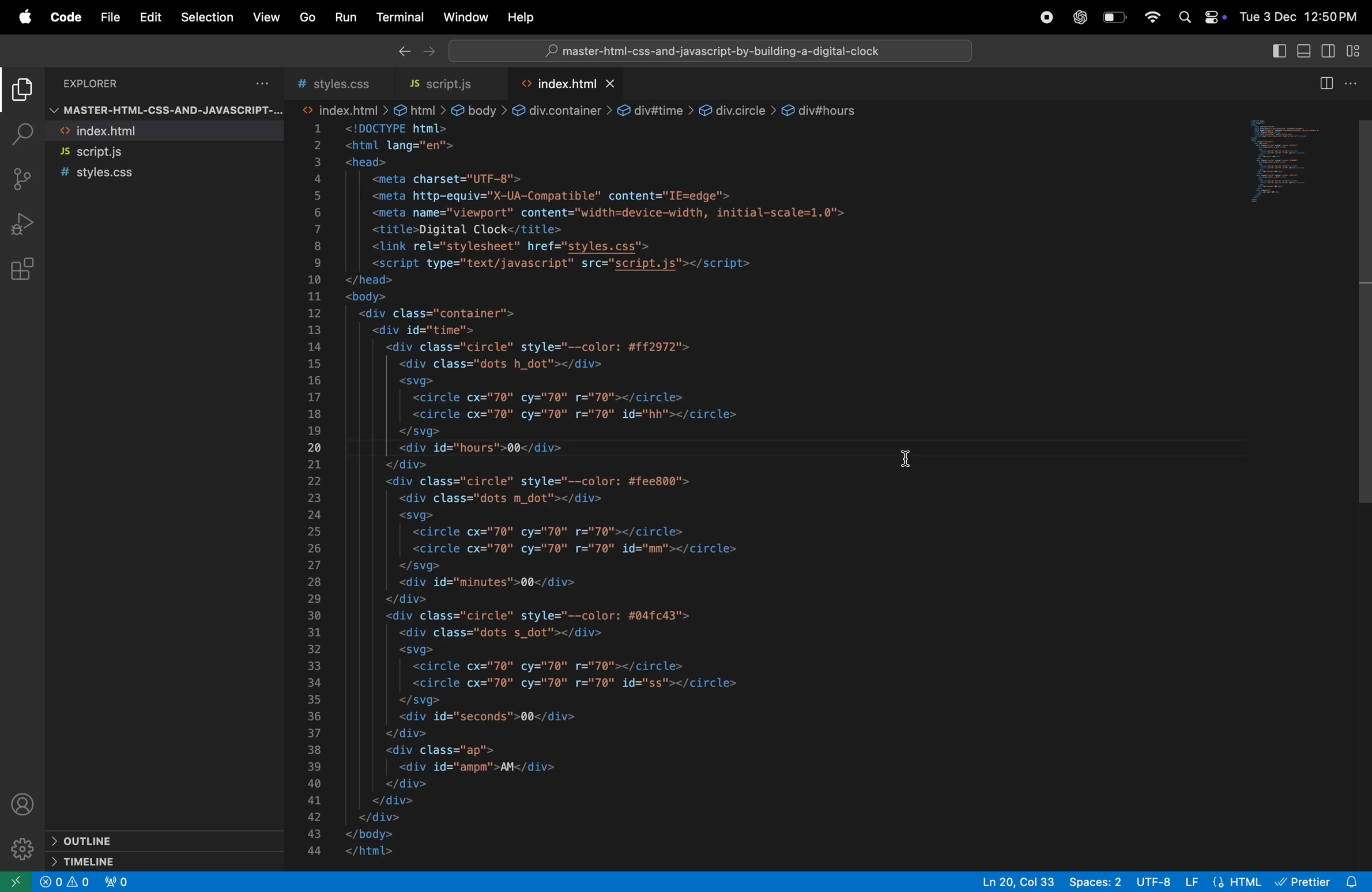 The height and width of the screenshot is (892, 1372). Describe the element at coordinates (669, 483) in the screenshot. I see `code block` at that location.